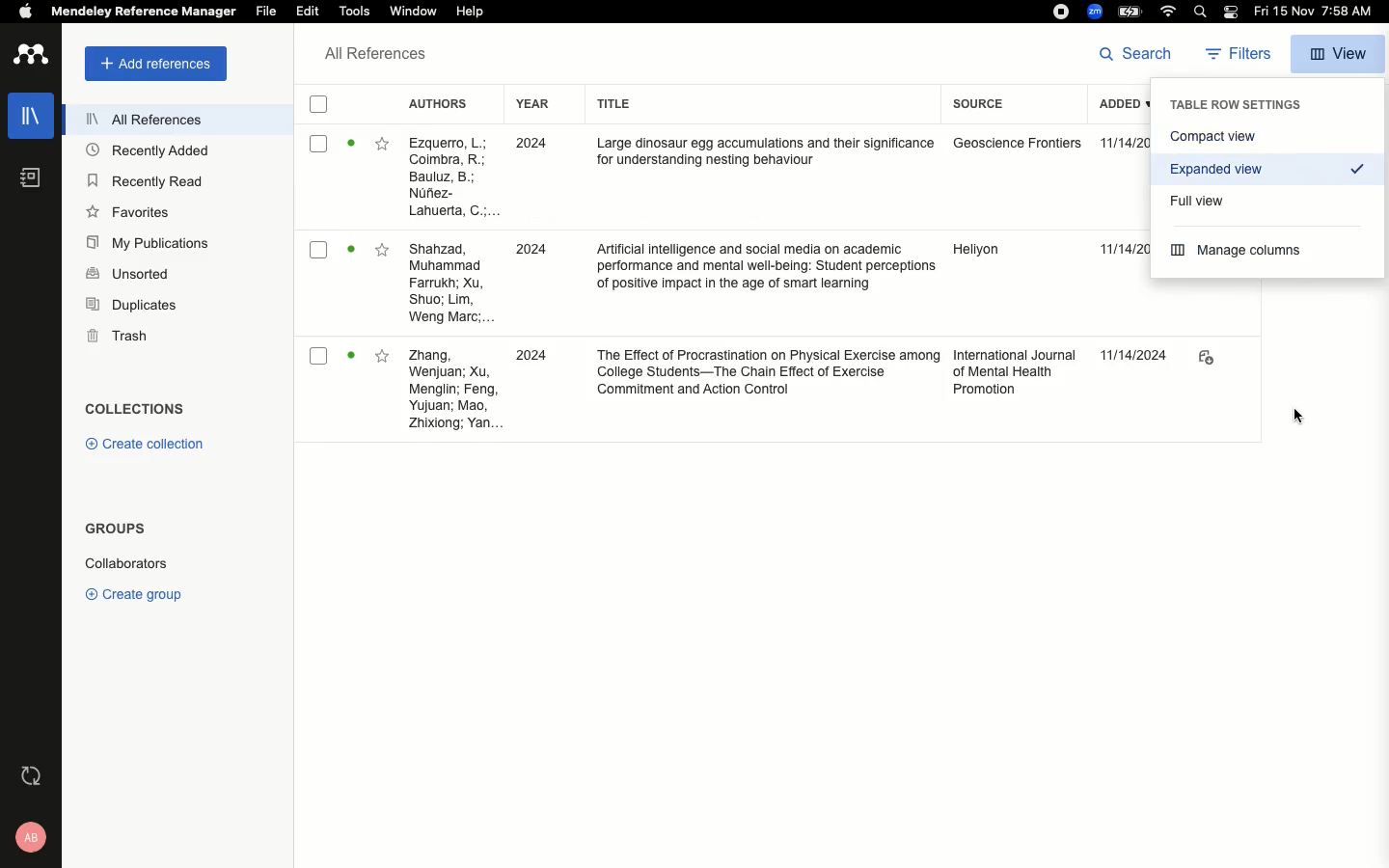 This screenshot has width=1389, height=868. I want to click on Title, so click(612, 105).